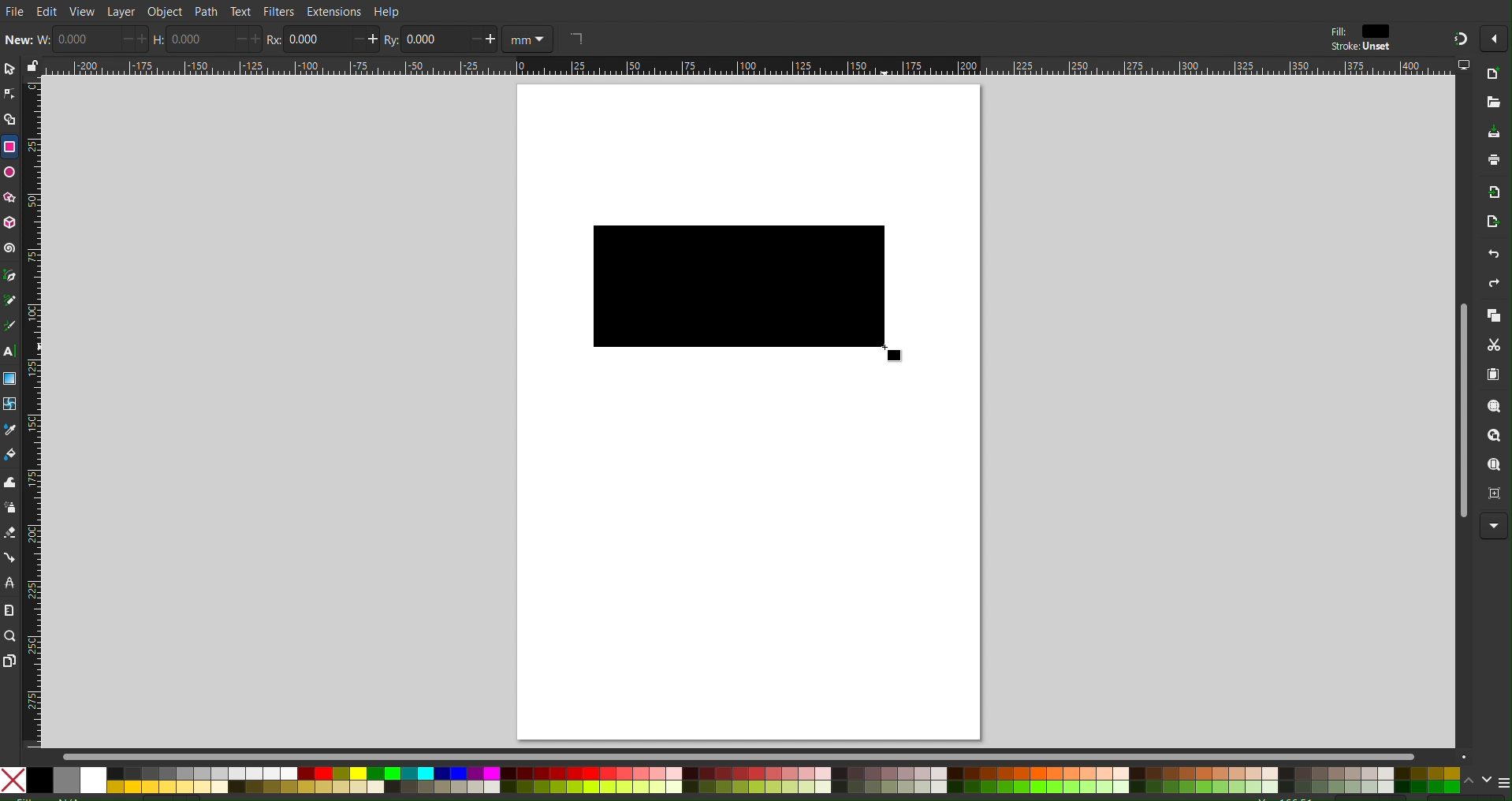  What do you see at coordinates (1484, 256) in the screenshot?
I see `Undo` at bounding box center [1484, 256].